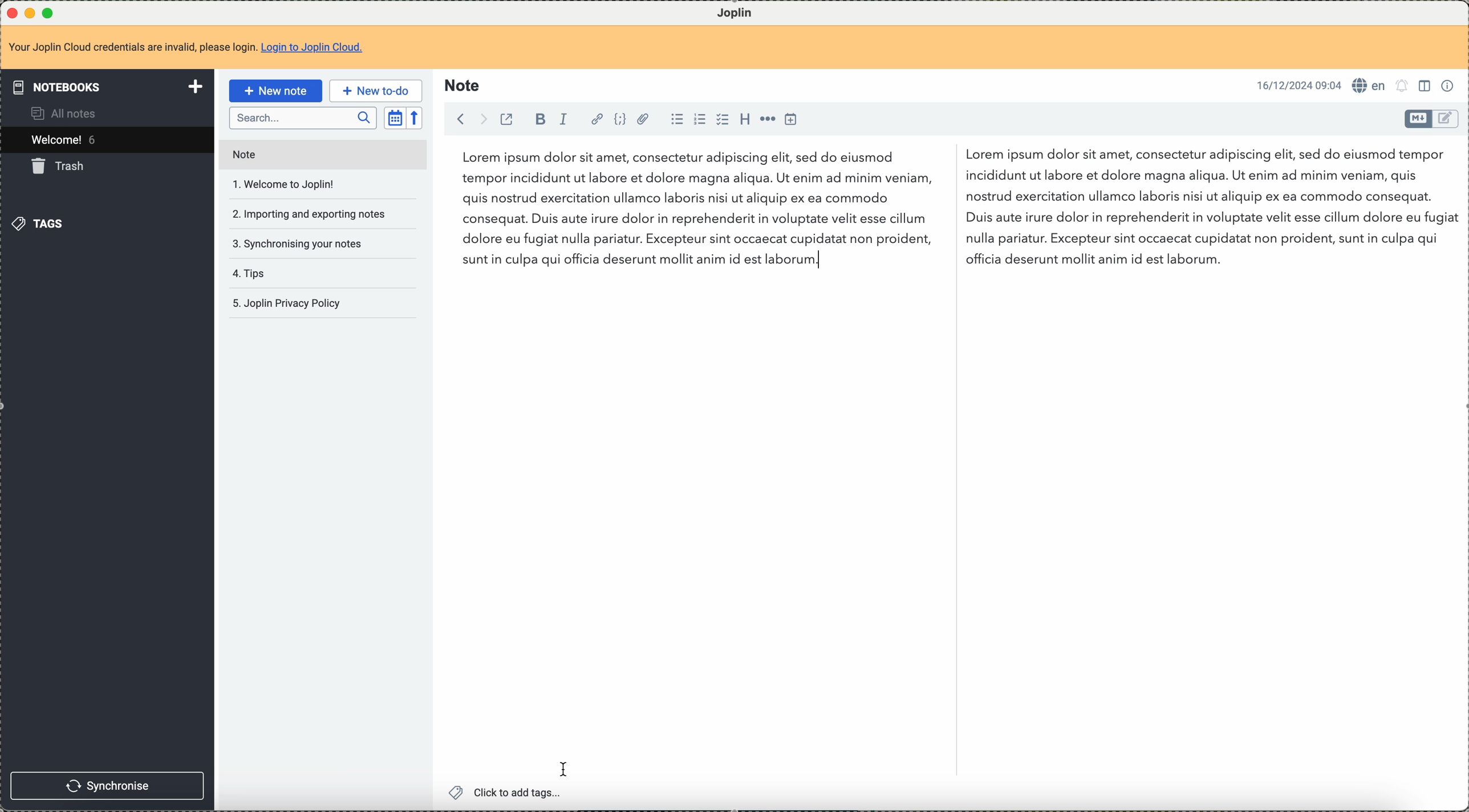 Image resolution: width=1469 pixels, height=812 pixels. Describe the element at coordinates (794, 120) in the screenshot. I see `insert time` at that location.